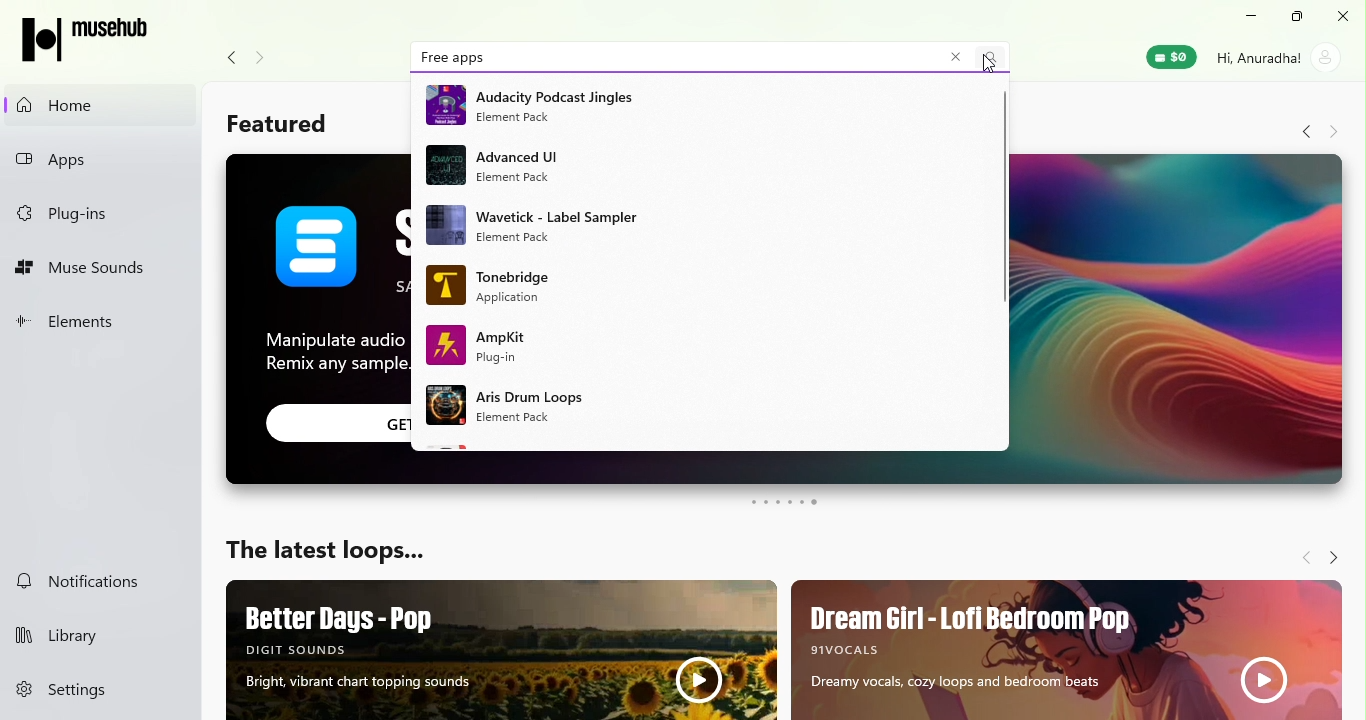  I want to click on Ad, so click(1064, 647).